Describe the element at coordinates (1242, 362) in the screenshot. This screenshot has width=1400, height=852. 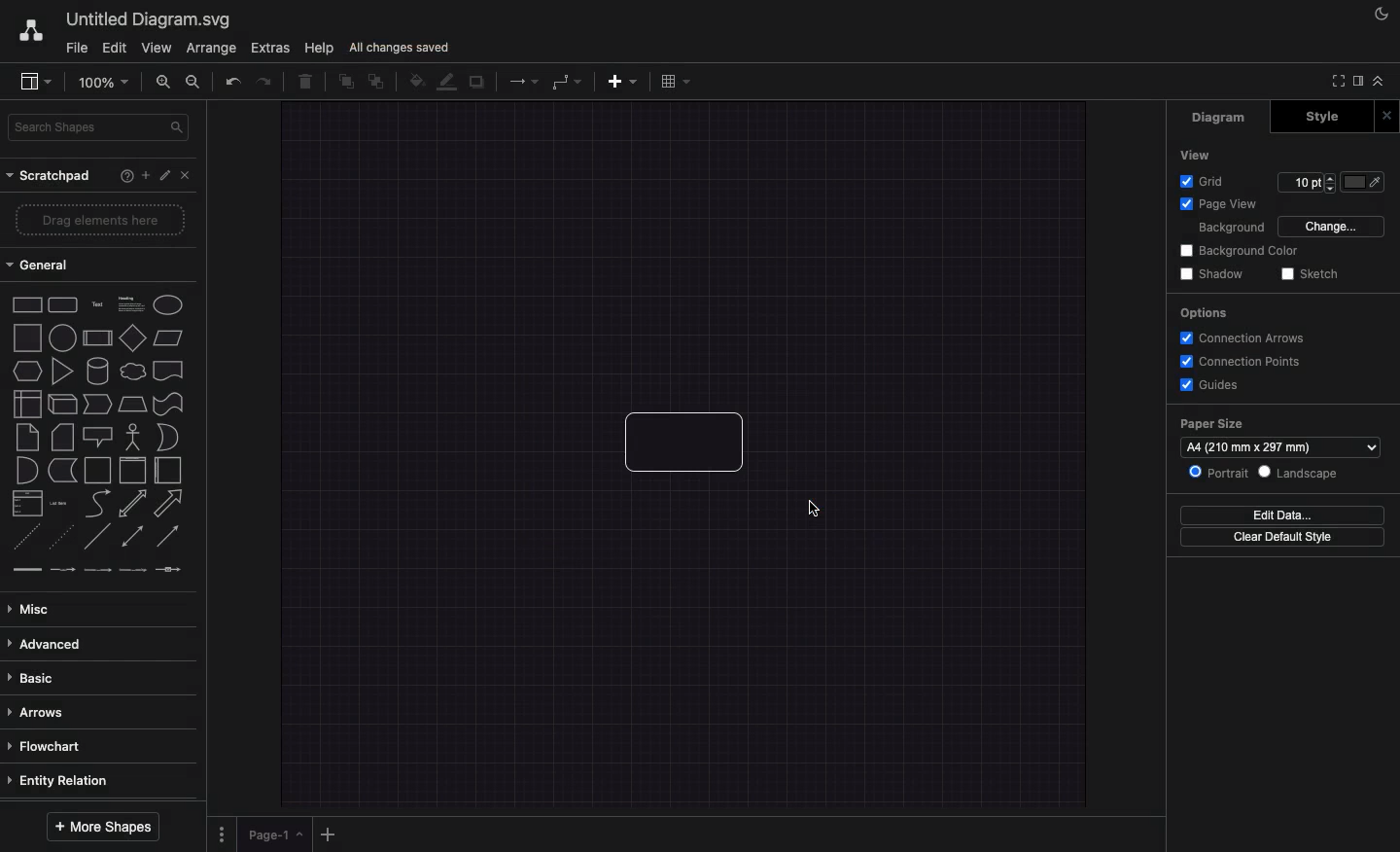
I see `Connections points` at that location.